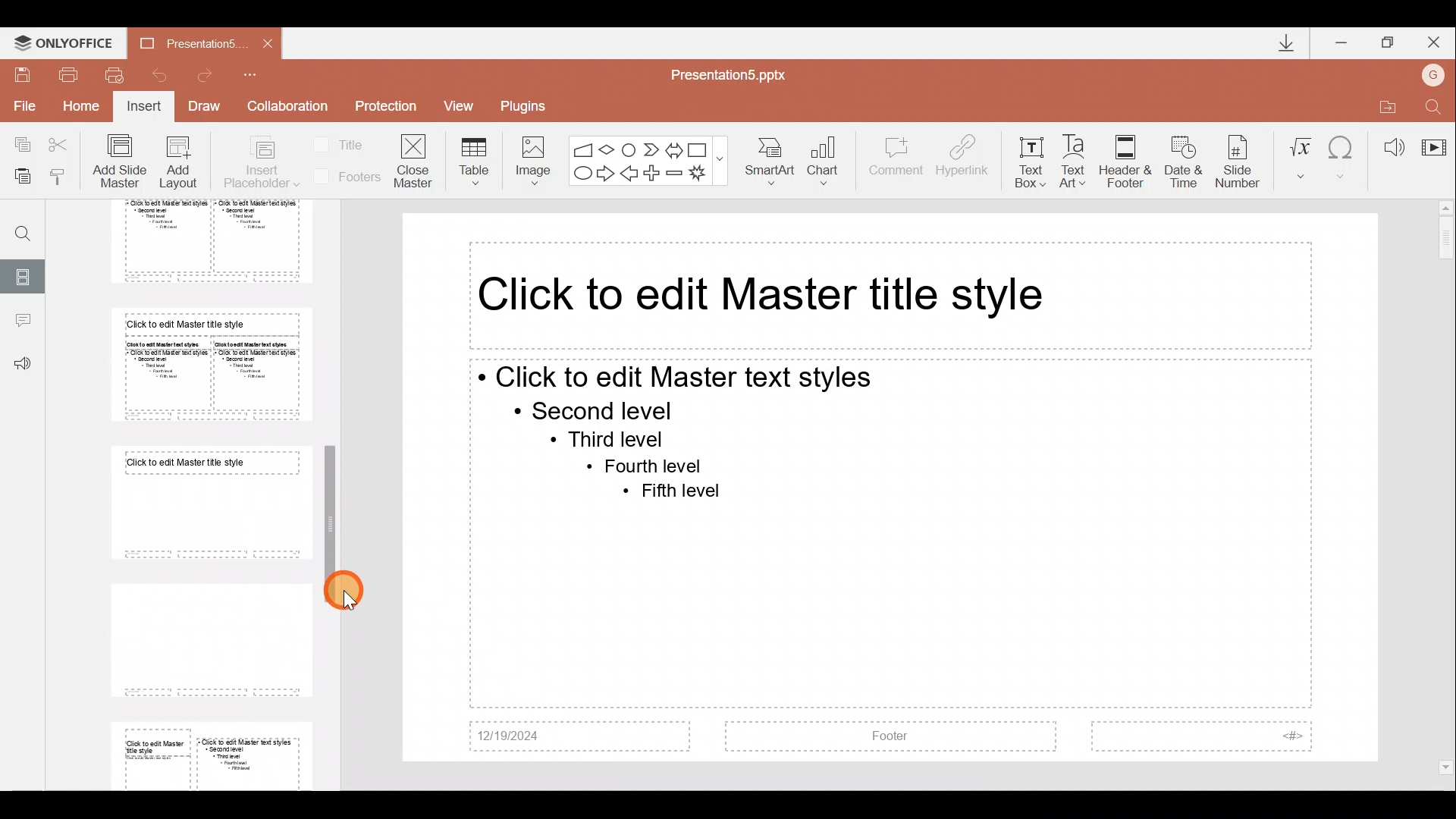  What do you see at coordinates (1433, 140) in the screenshot?
I see `Video` at bounding box center [1433, 140].